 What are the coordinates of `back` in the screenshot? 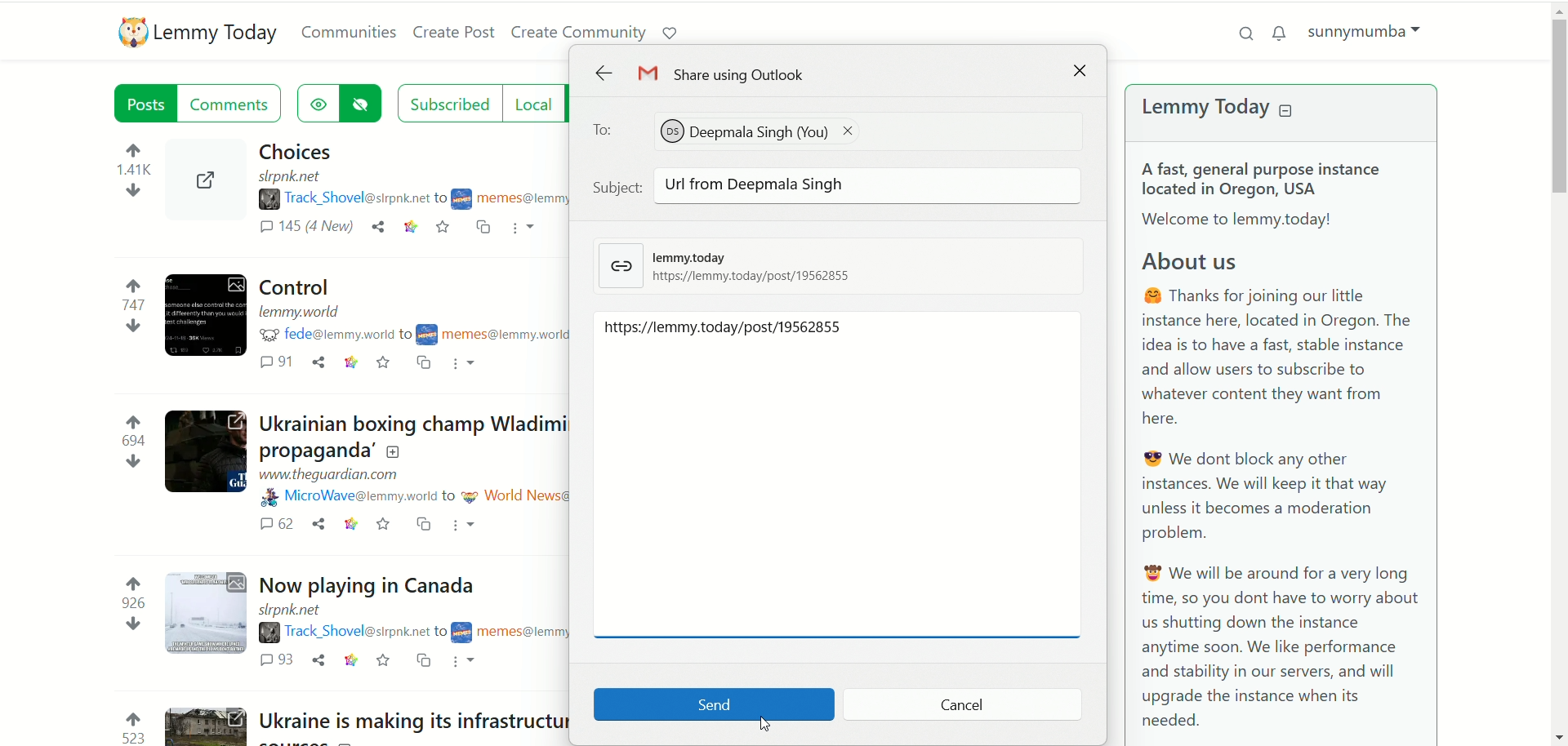 It's located at (610, 73).